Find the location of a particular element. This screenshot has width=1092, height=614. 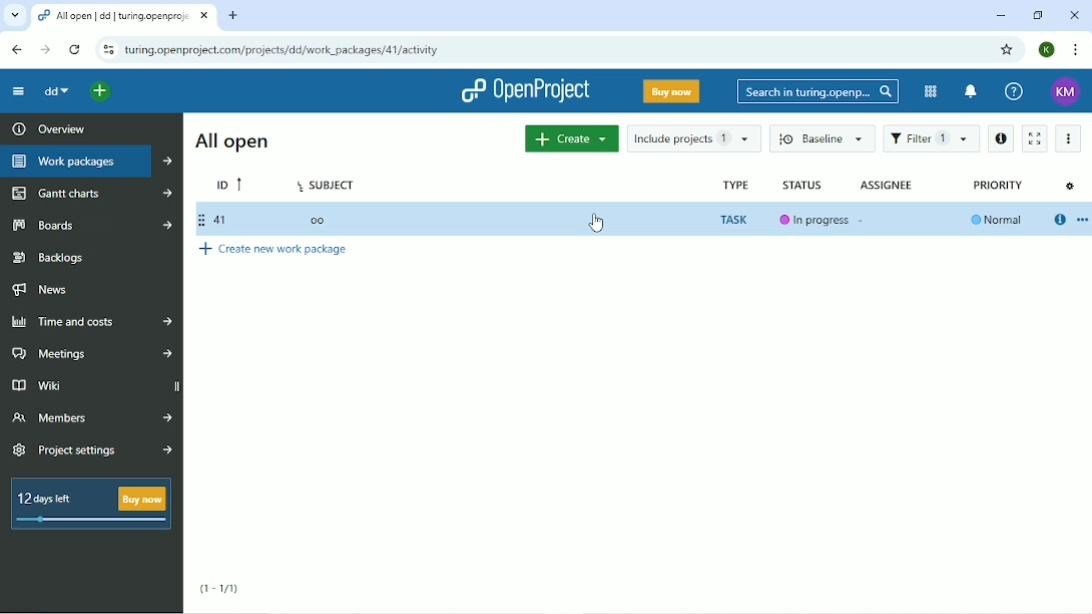

12 days left Buy now is located at coordinates (87, 503).